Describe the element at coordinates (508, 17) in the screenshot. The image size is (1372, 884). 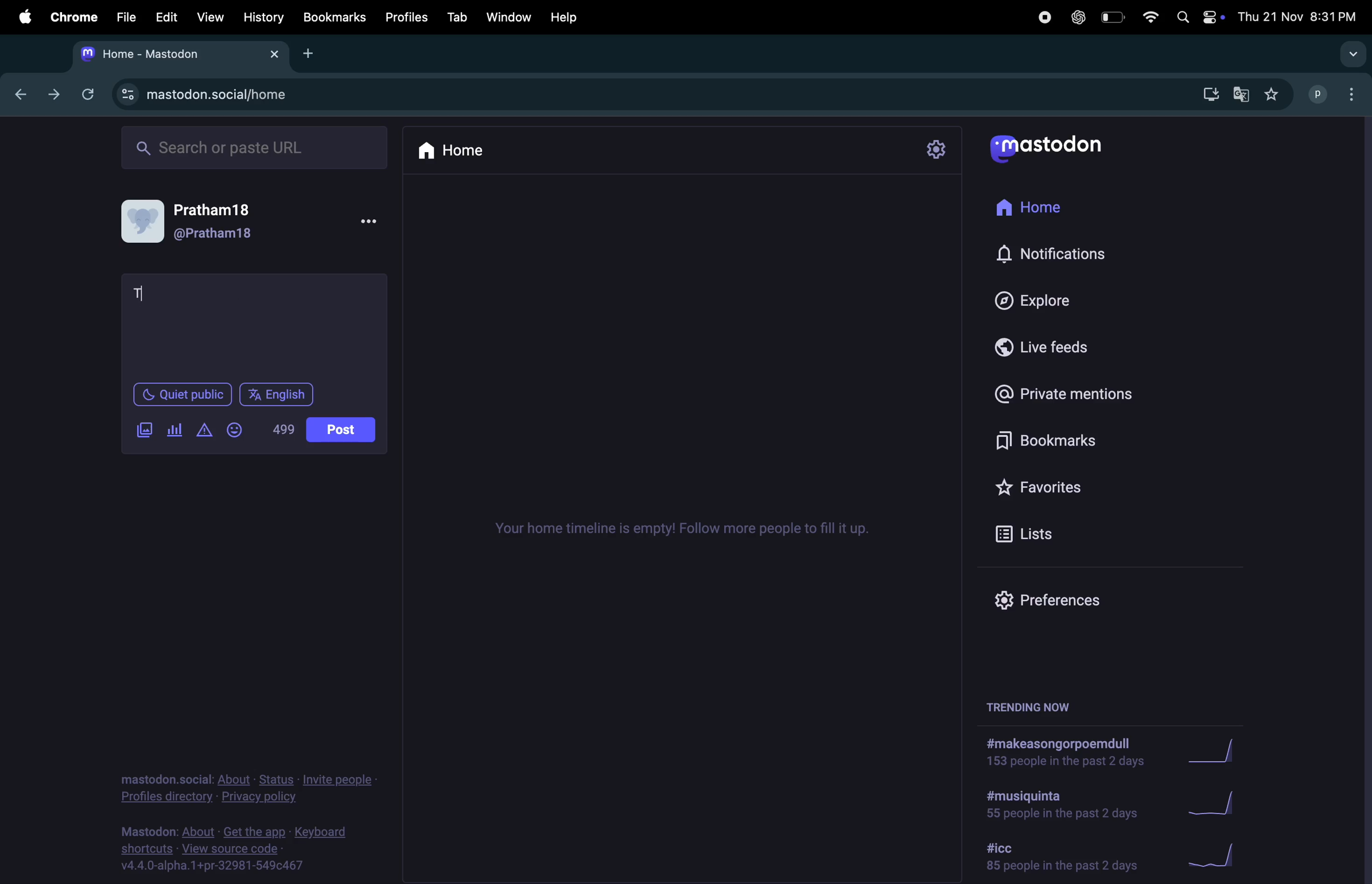
I see `window` at that location.